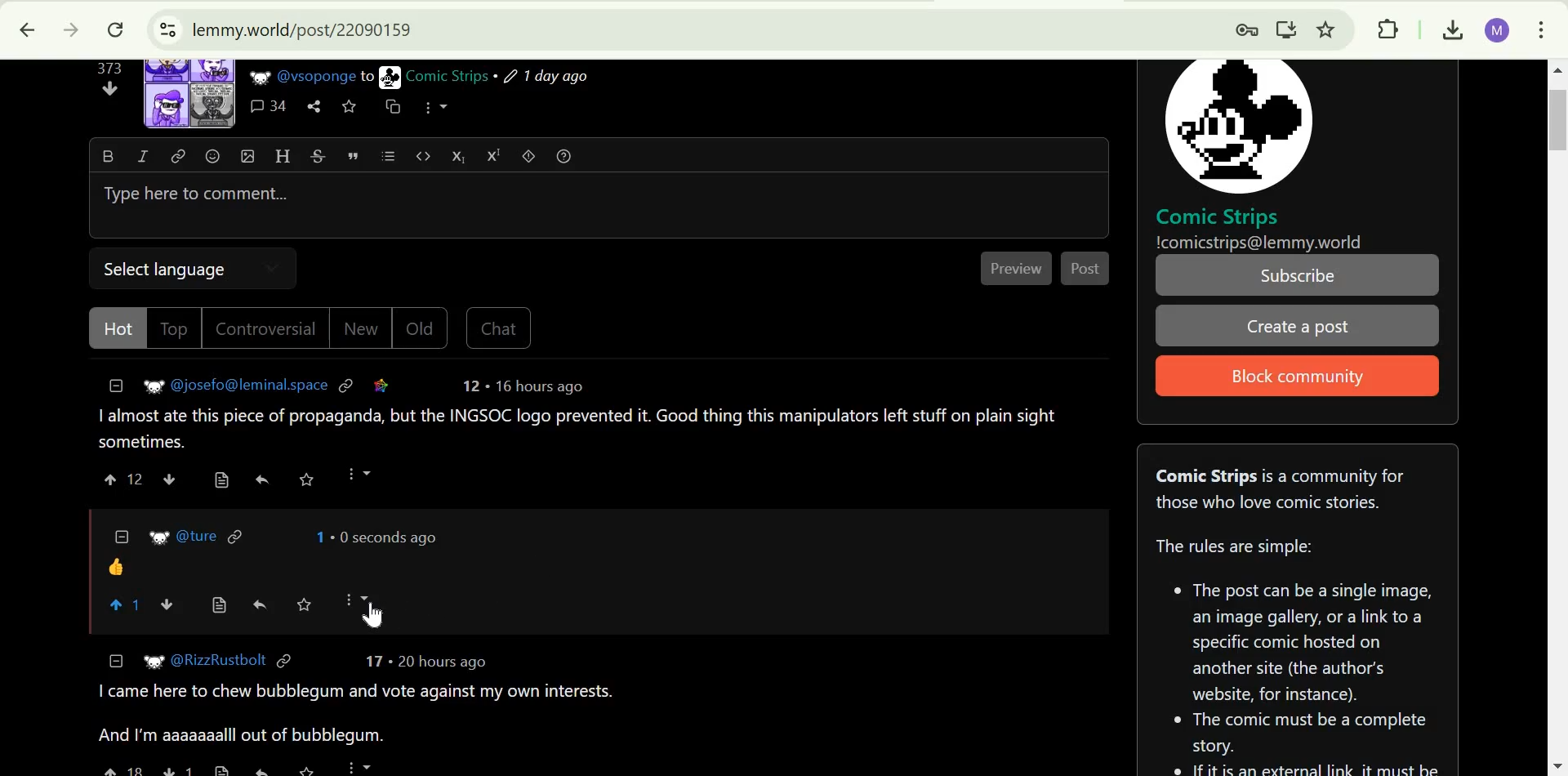 Image resolution: width=1568 pixels, height=776 pixels. I want to click on create a post, so click(1296, 327).